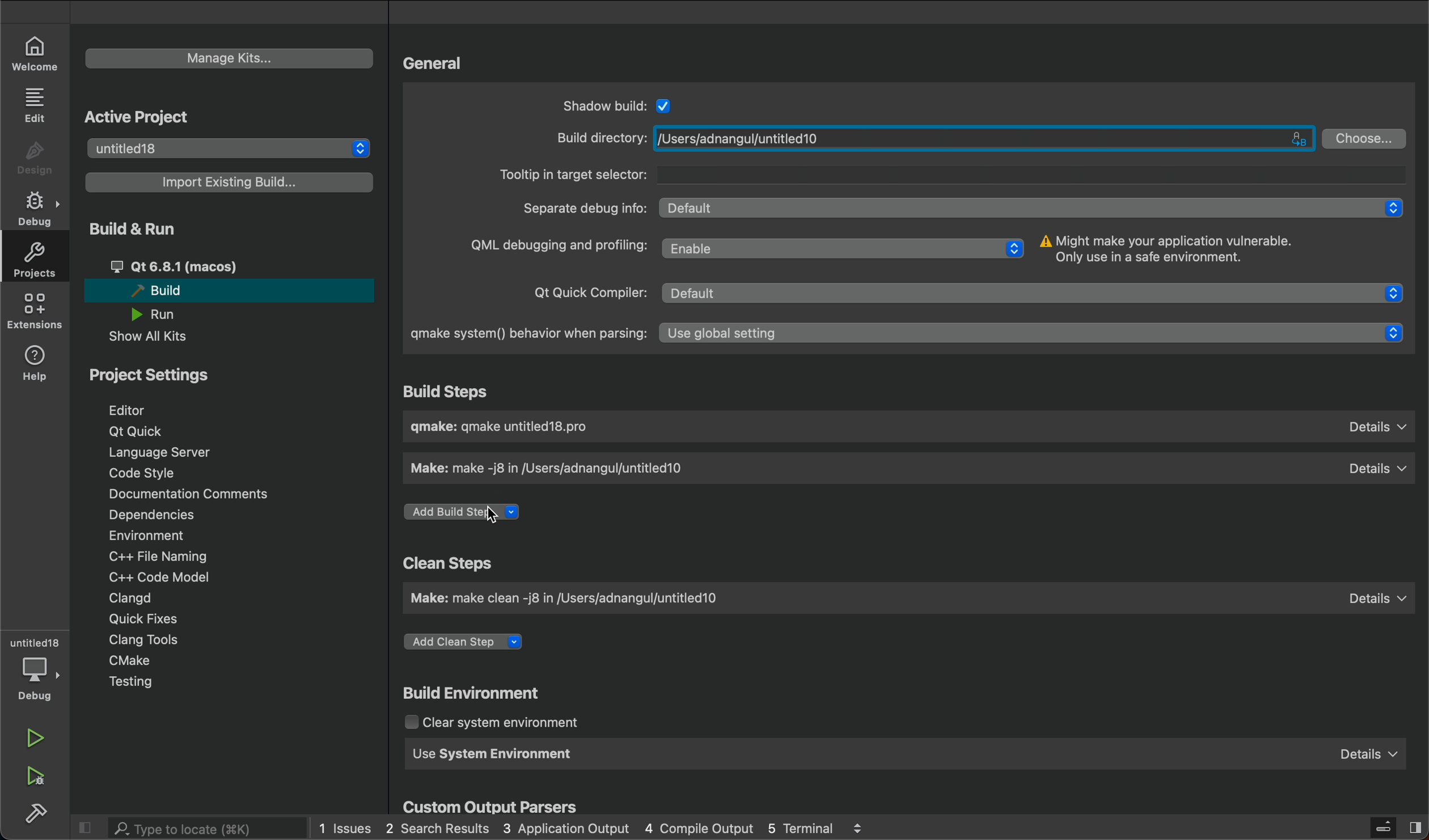 This screenshot has width=1429, height=840. I want to click on Qt 6.8.1 (macos), so click(174, 266).